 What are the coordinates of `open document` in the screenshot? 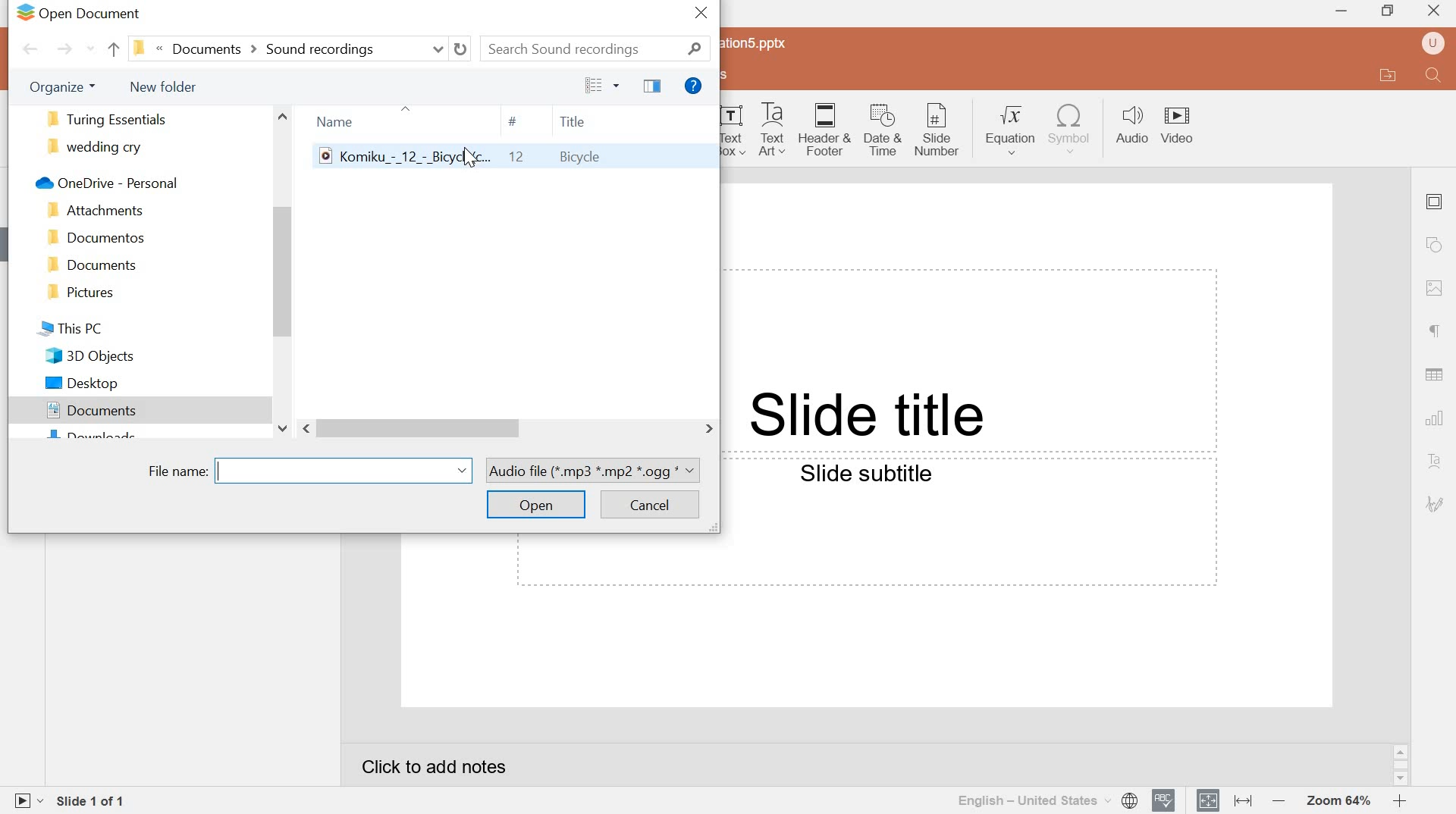 It's located at (94, 13).